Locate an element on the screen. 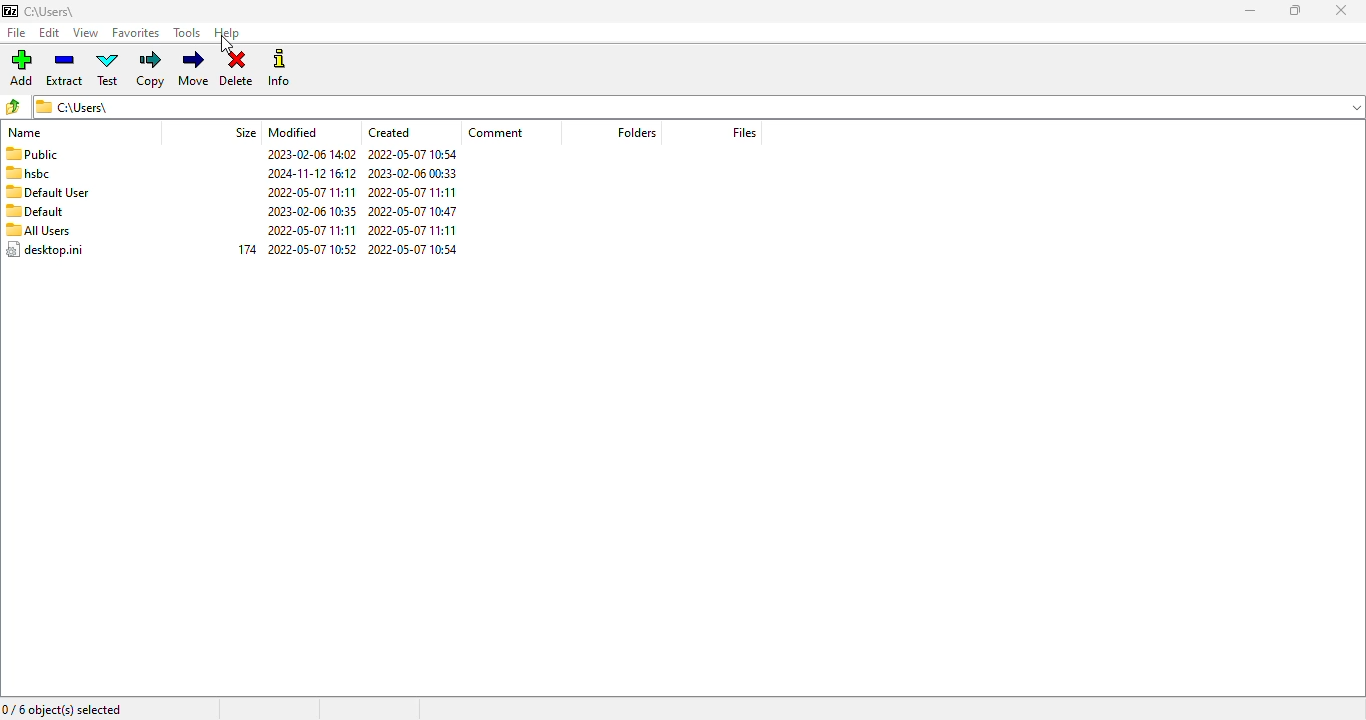 This screenshot has height=720, width=1366. created date and time is located at coordinates (414, 202).